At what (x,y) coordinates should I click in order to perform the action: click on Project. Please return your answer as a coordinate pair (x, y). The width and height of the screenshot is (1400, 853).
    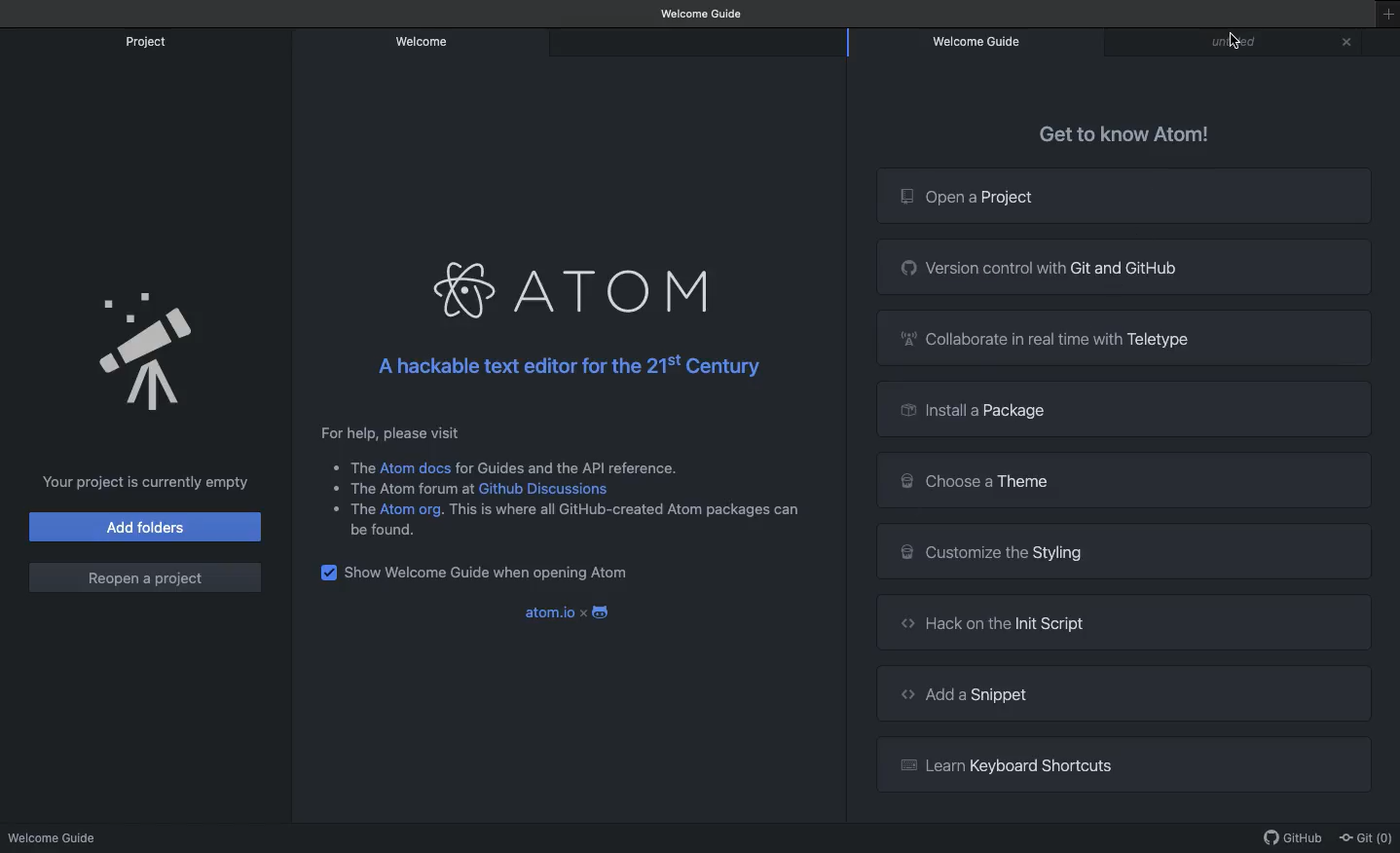
    Looking at the image, I should click on (146, 352).